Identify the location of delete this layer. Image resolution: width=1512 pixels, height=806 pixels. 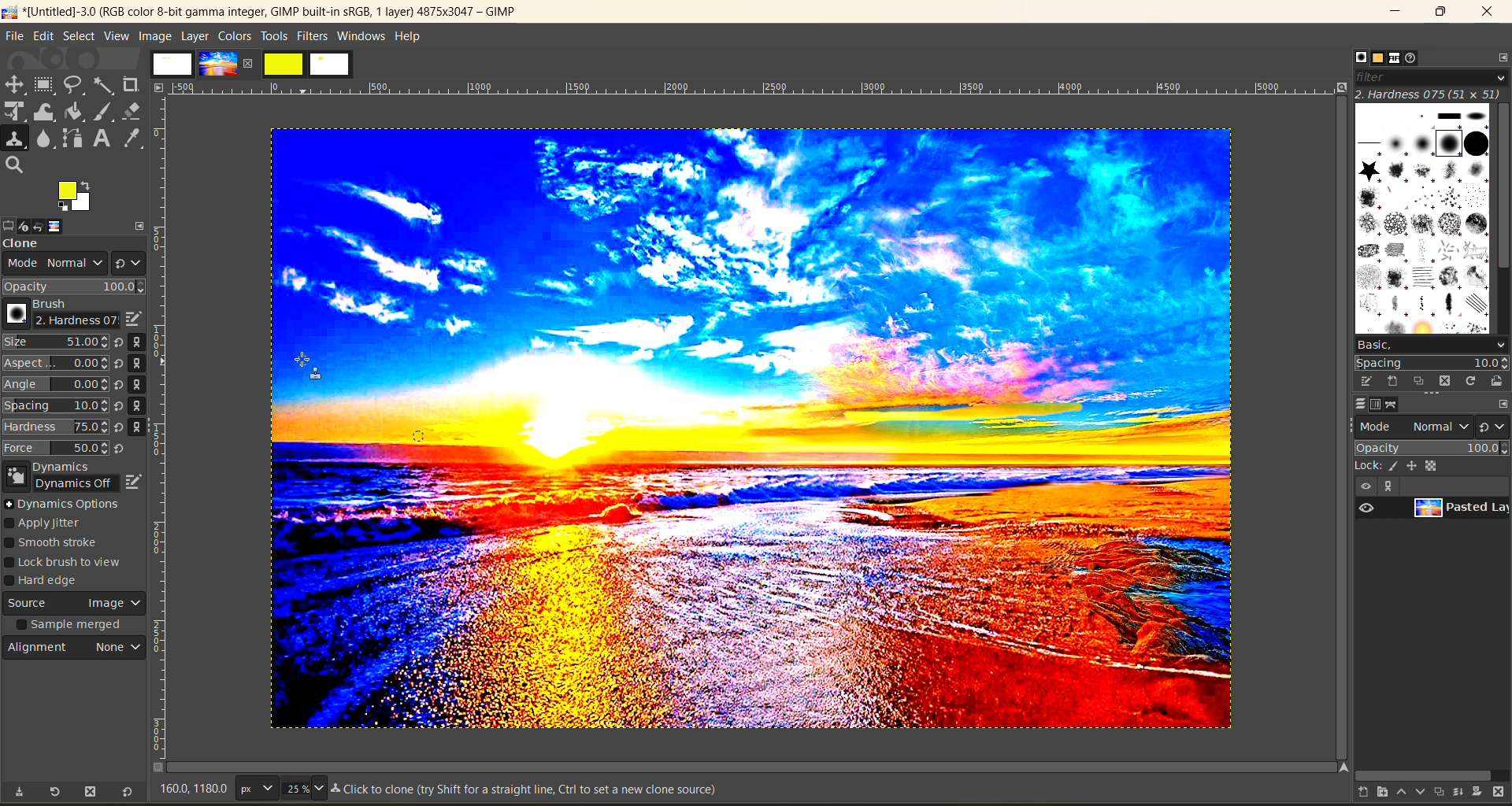
(1503, 793).